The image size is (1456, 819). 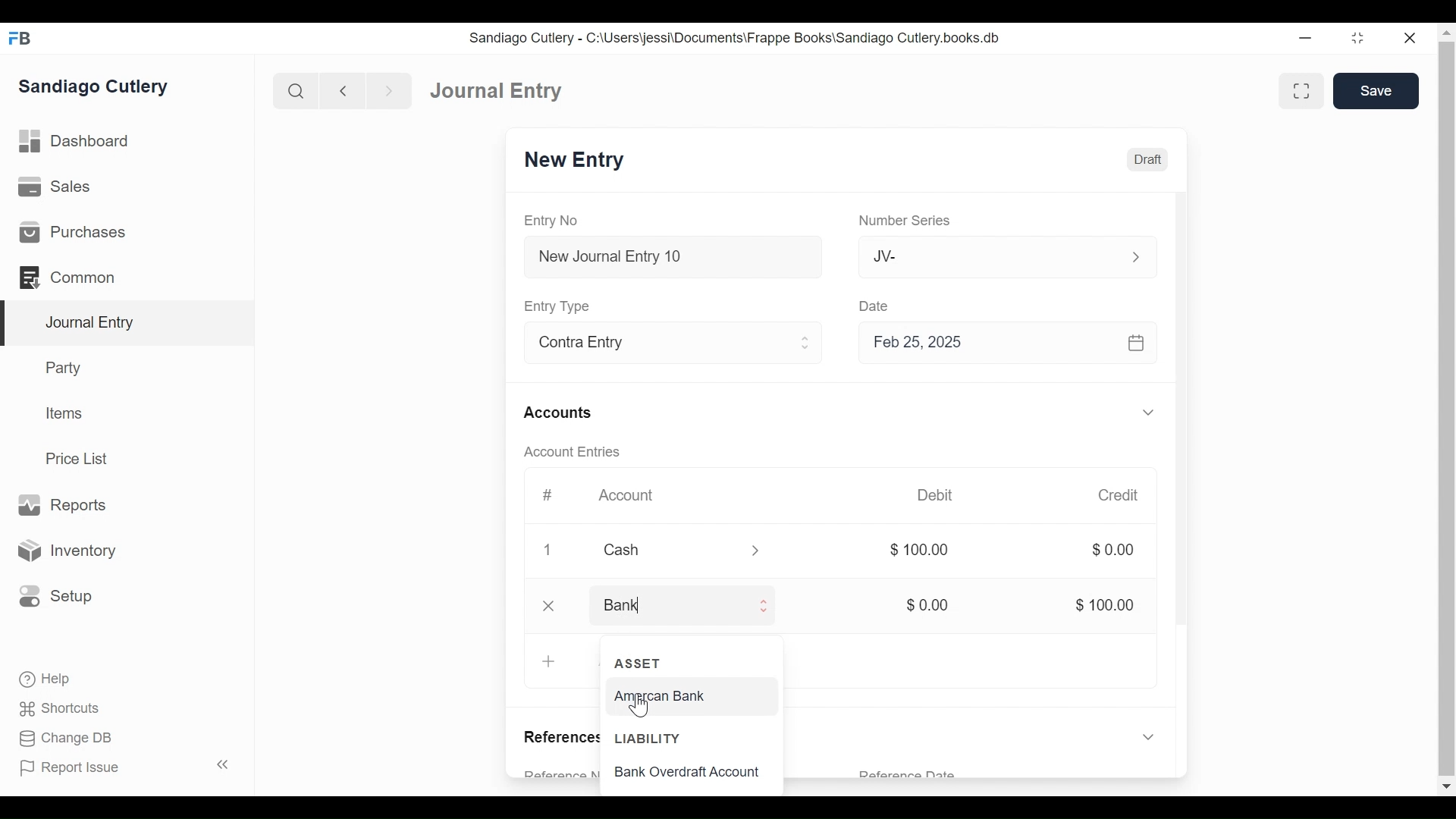 I want to click on Items, so click(x=66, y=415).